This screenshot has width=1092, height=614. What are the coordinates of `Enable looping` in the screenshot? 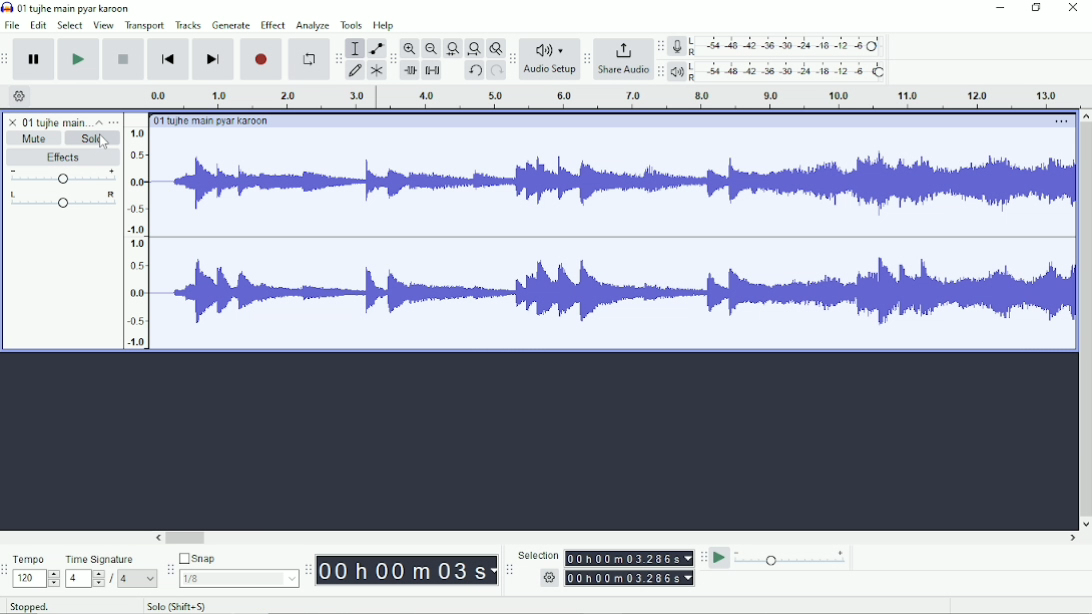 It's located at (310, 59).